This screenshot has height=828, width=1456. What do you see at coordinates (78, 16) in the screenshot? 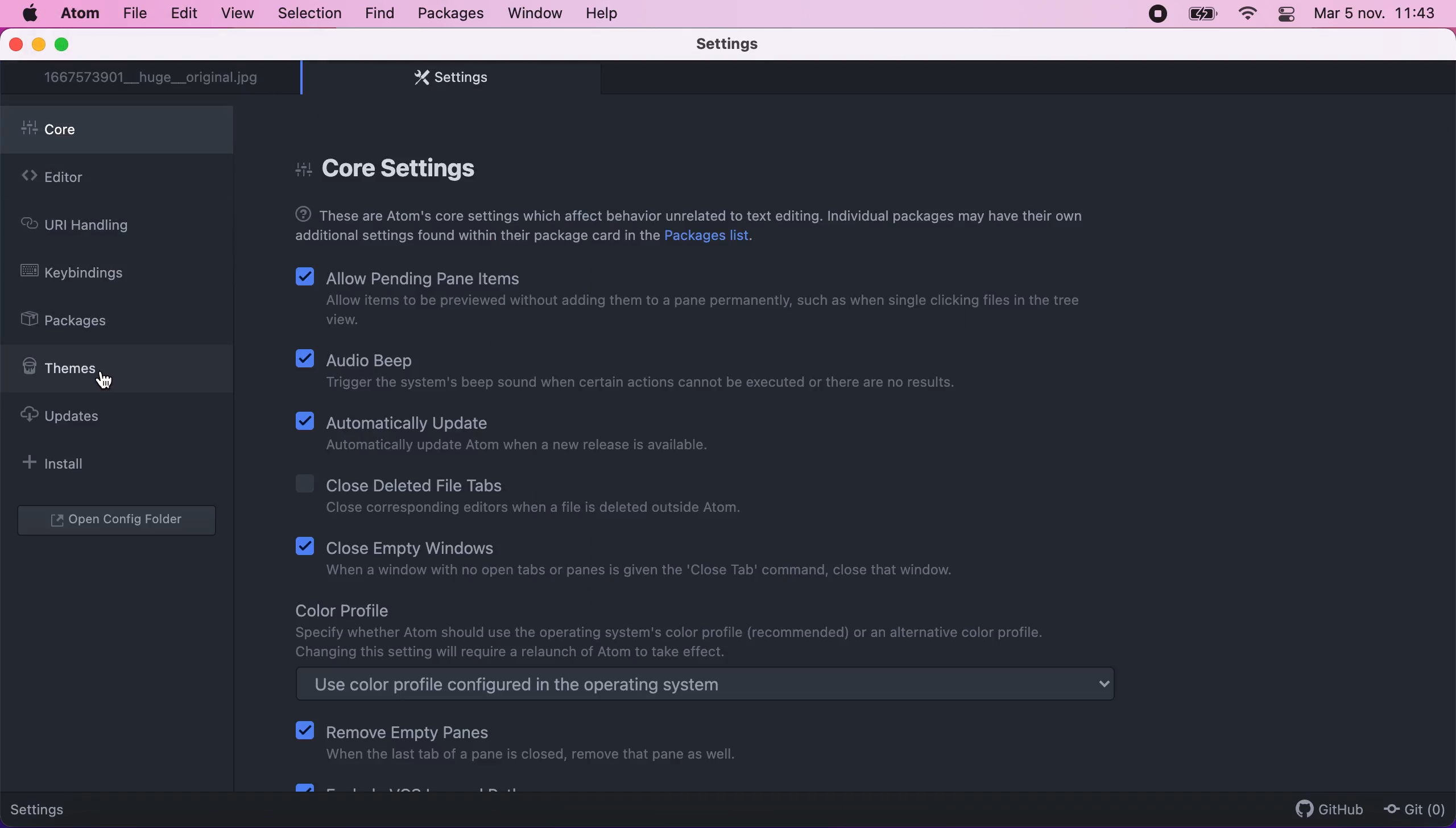
I see `atom` at bounding box center [78, 16].